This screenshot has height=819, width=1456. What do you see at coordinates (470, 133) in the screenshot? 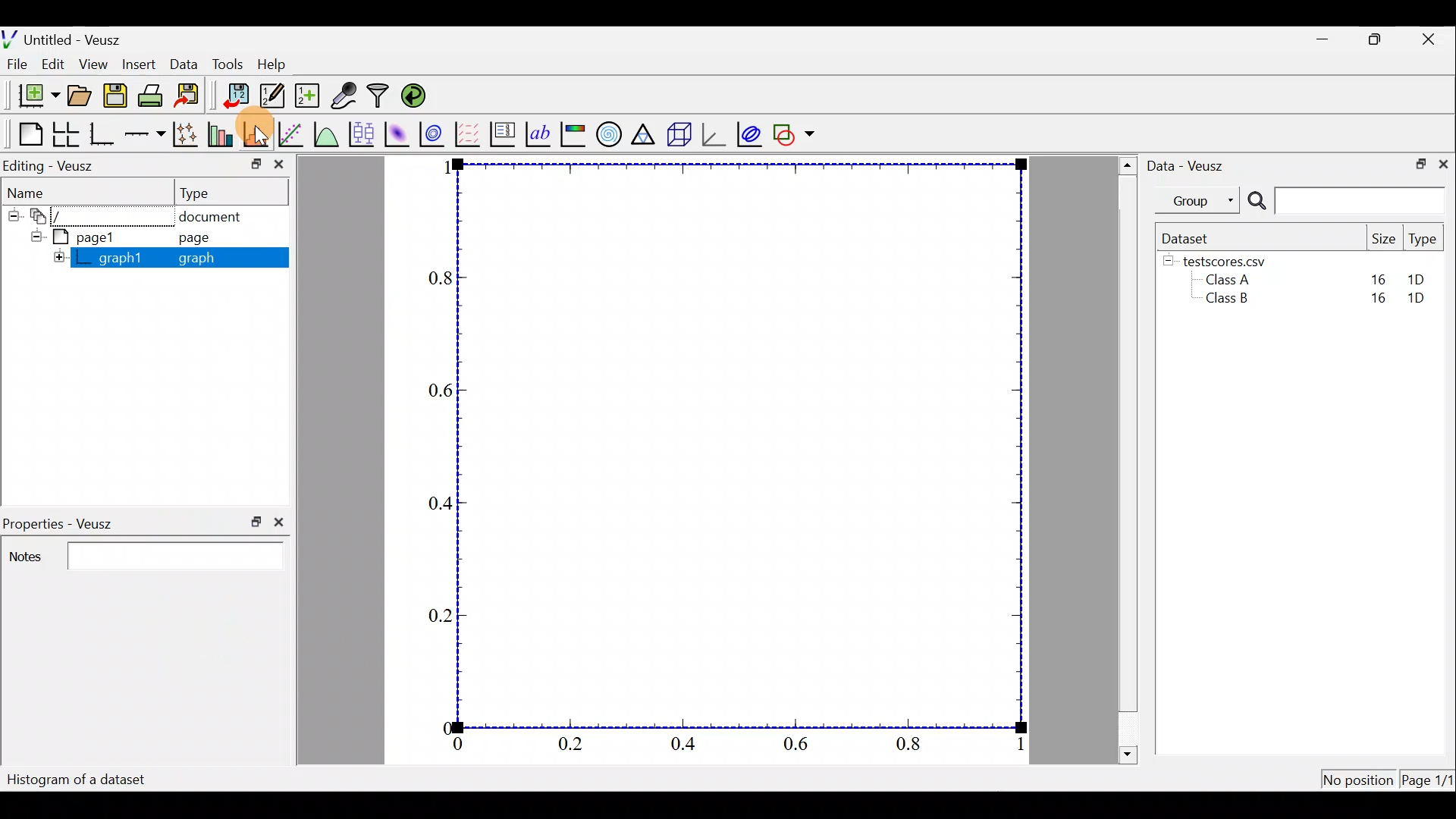
I see `Plot a vector field` at bounding box center [470, 133].